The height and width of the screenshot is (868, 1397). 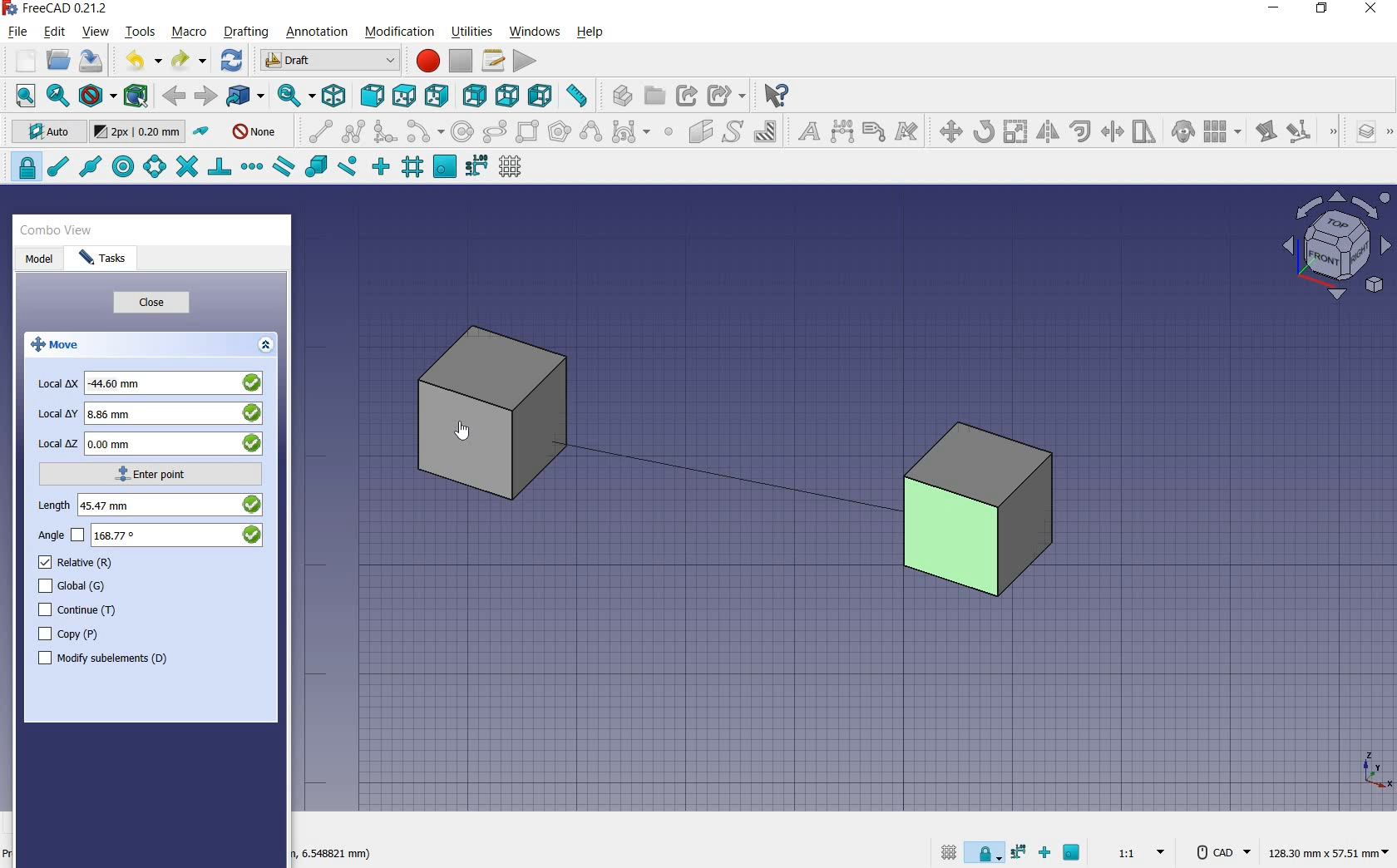 What do you see at coordinates (578, 96) in the screenshot?
I see `measure distance` at bounding box center [578, 96].